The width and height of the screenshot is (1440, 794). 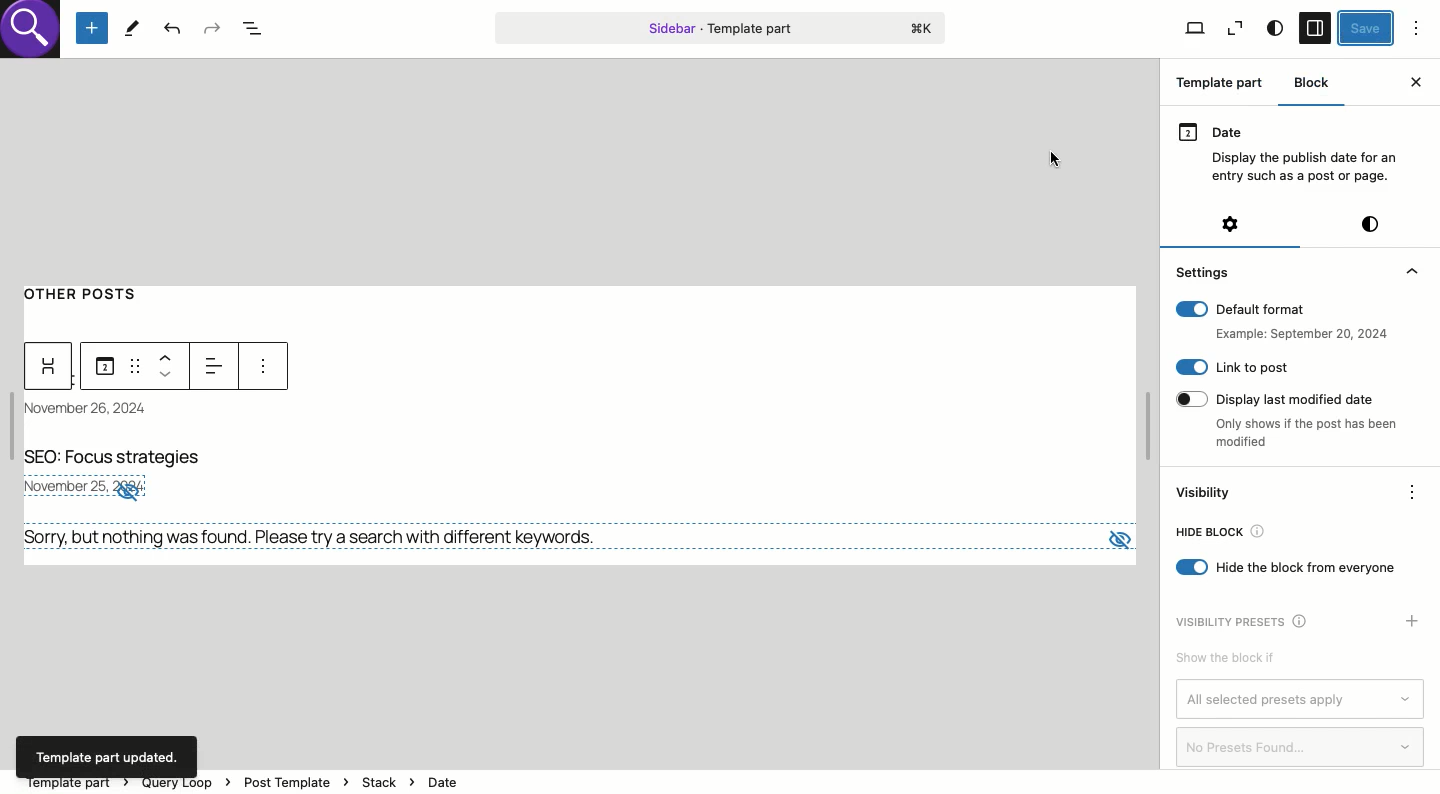 What do you see at coordinates (170, 365) in the screenshot?
I see `Move up down` at bounding box center [170, 365].